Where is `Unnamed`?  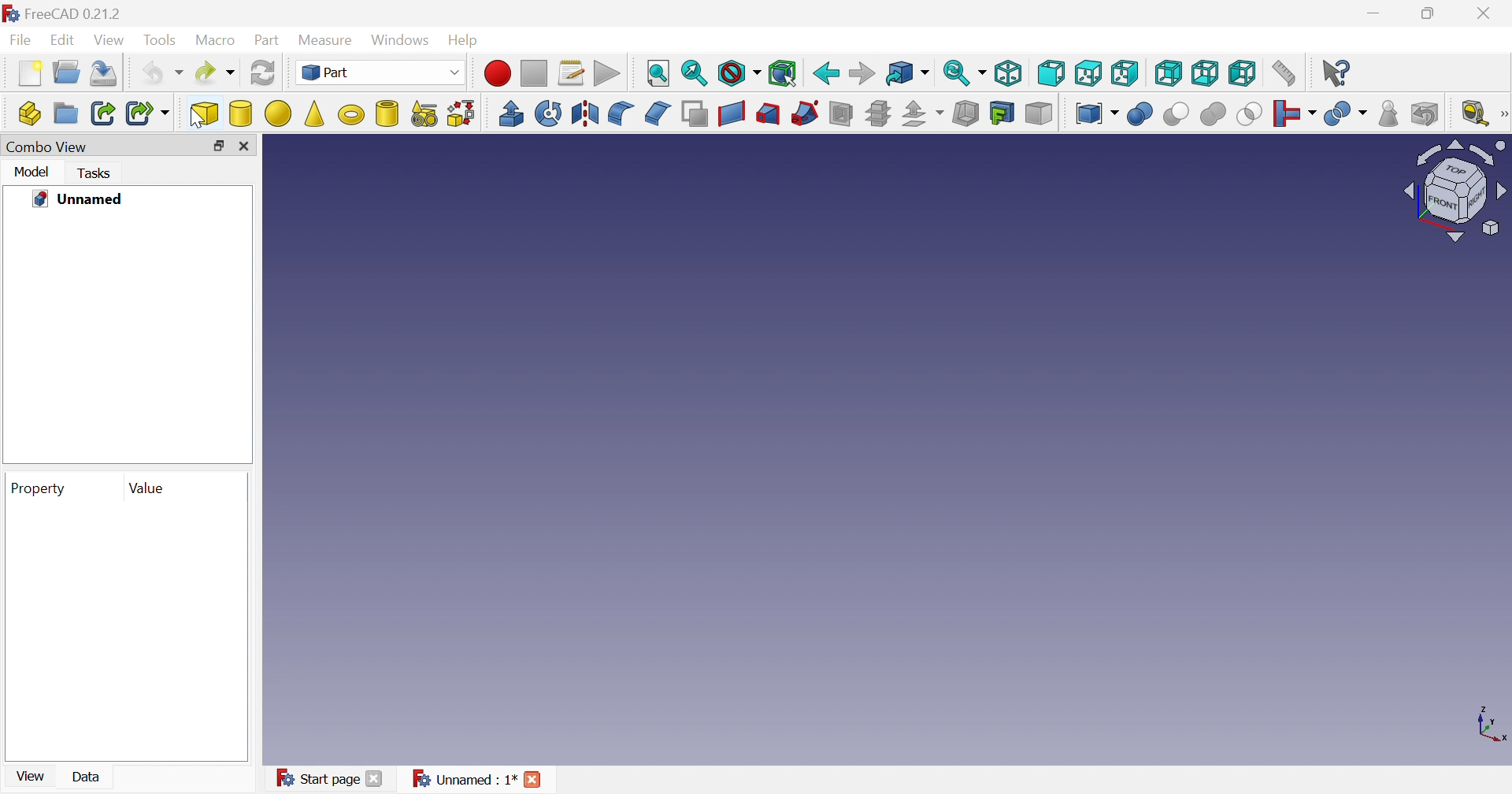
Unnamed is located at coordinates (78, 199).